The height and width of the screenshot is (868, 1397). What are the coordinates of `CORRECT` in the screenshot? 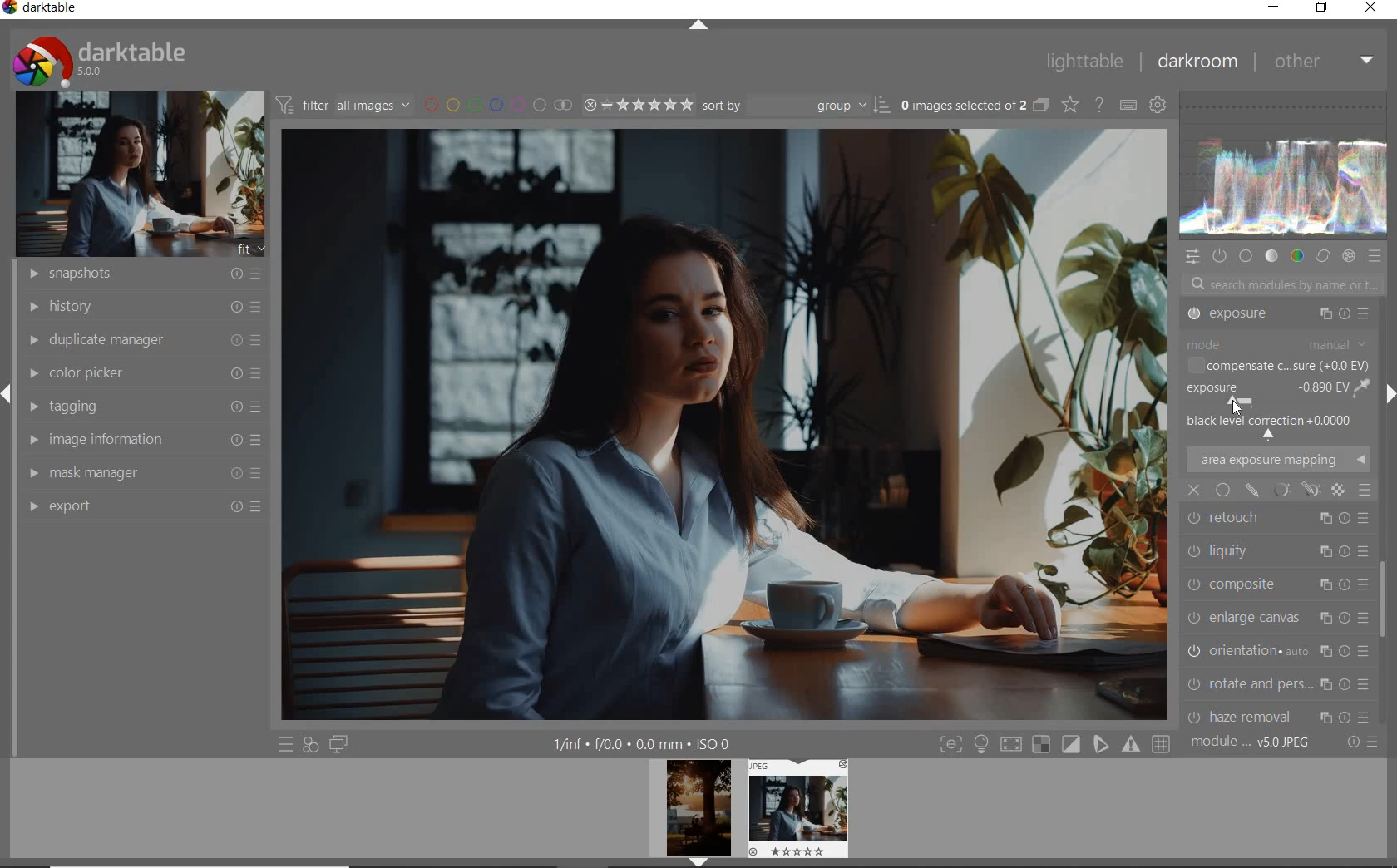 It's located at (1322, 254).